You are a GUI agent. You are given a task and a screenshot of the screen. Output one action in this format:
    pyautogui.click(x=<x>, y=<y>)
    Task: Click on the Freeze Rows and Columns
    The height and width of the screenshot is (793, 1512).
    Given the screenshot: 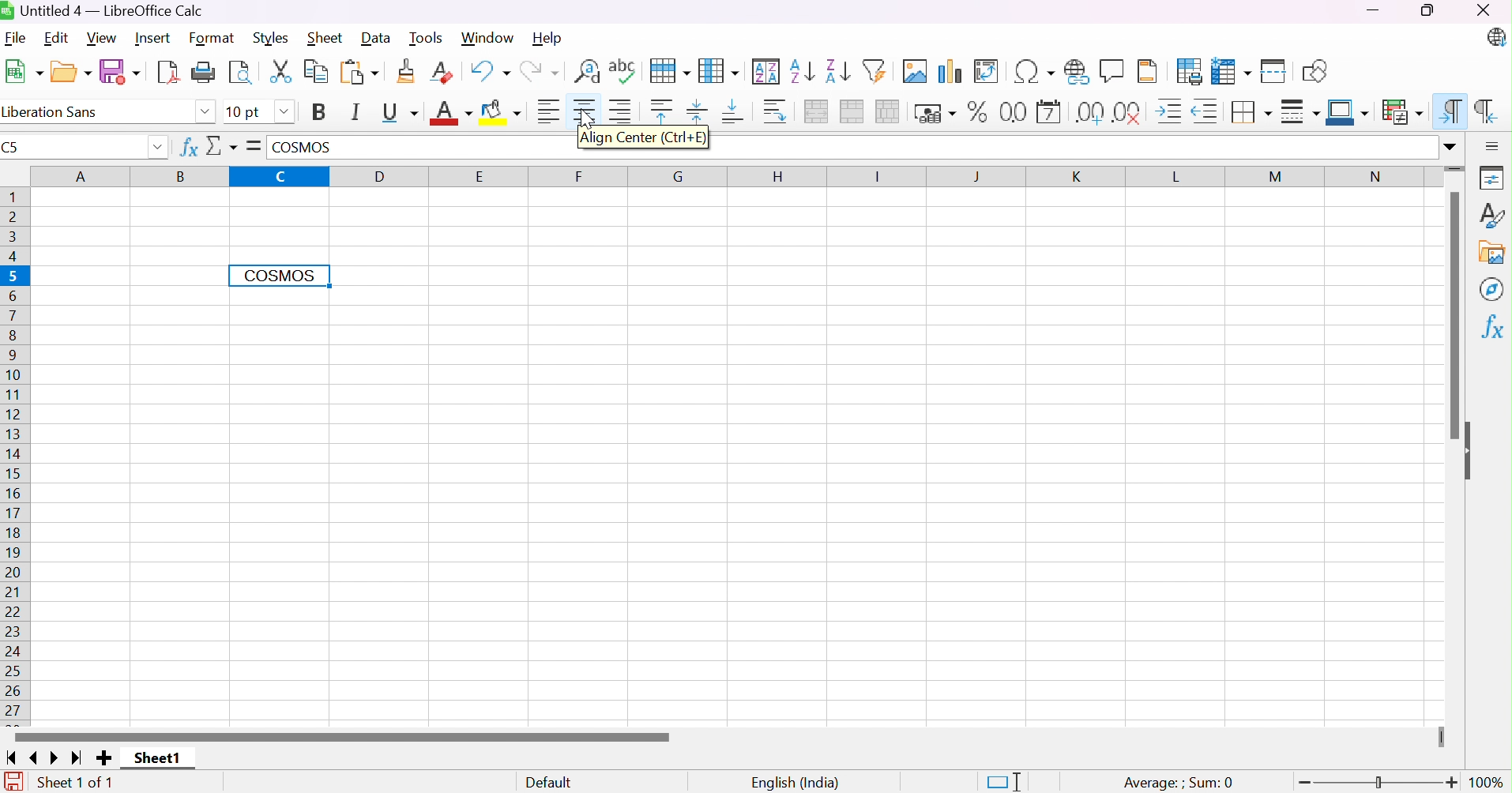 What is the action you would take?
    pyautogui.click(x=1233, y=71)
    